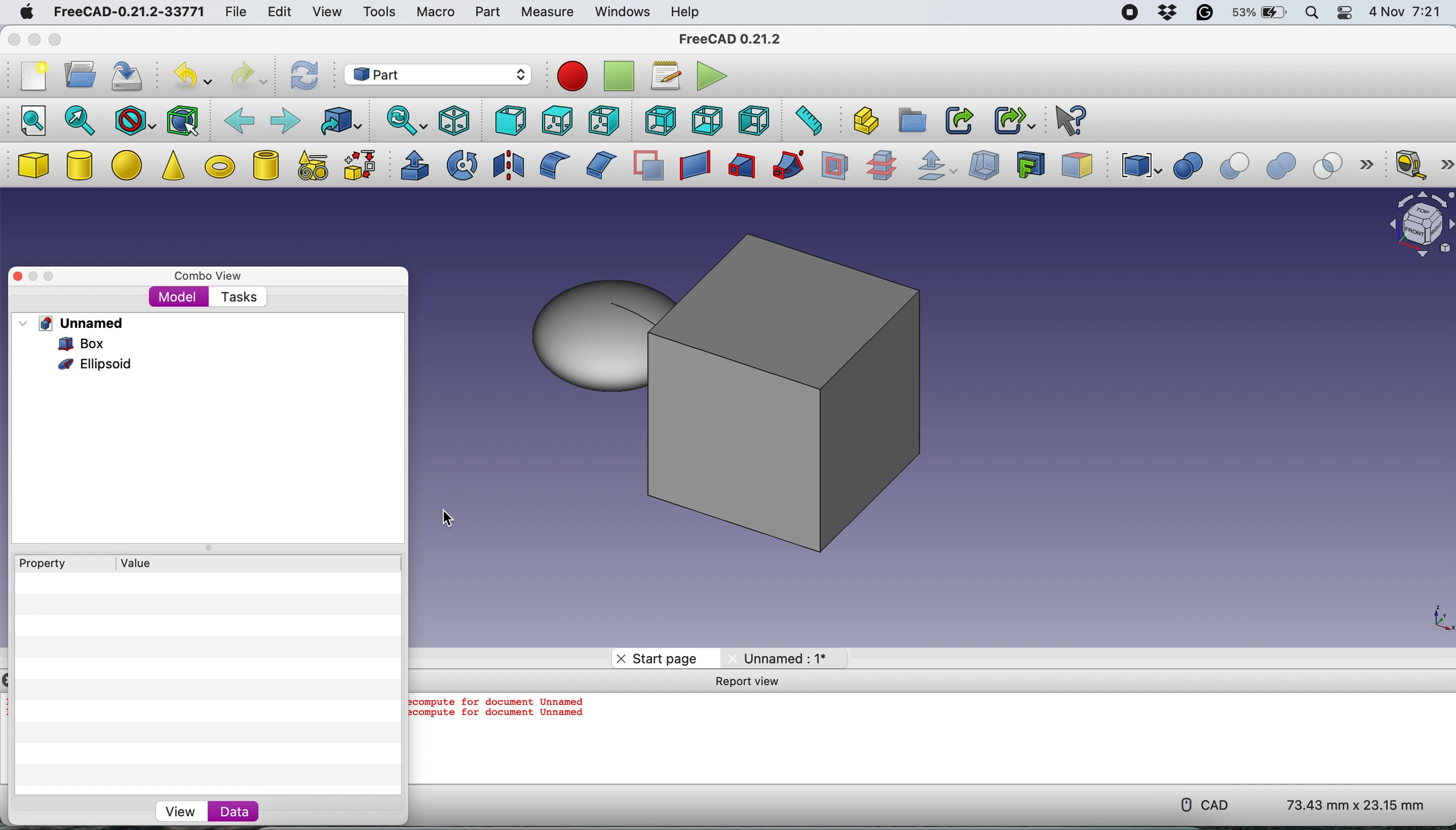  Describe the element at coordinates (572, 76) in the screenshot. I see `record macros` at that location.